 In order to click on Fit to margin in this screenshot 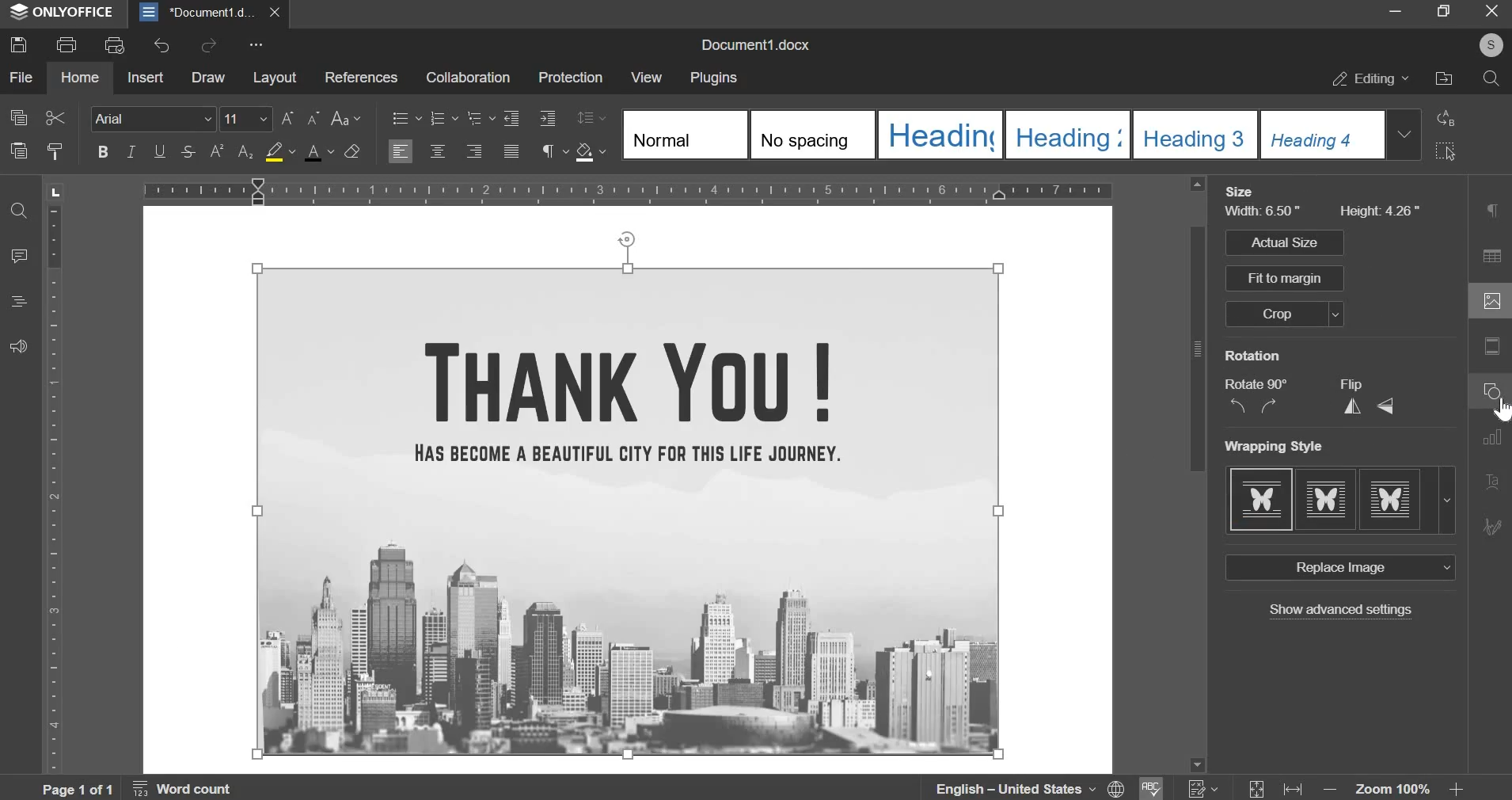, I will do `click(1285, 278)`.